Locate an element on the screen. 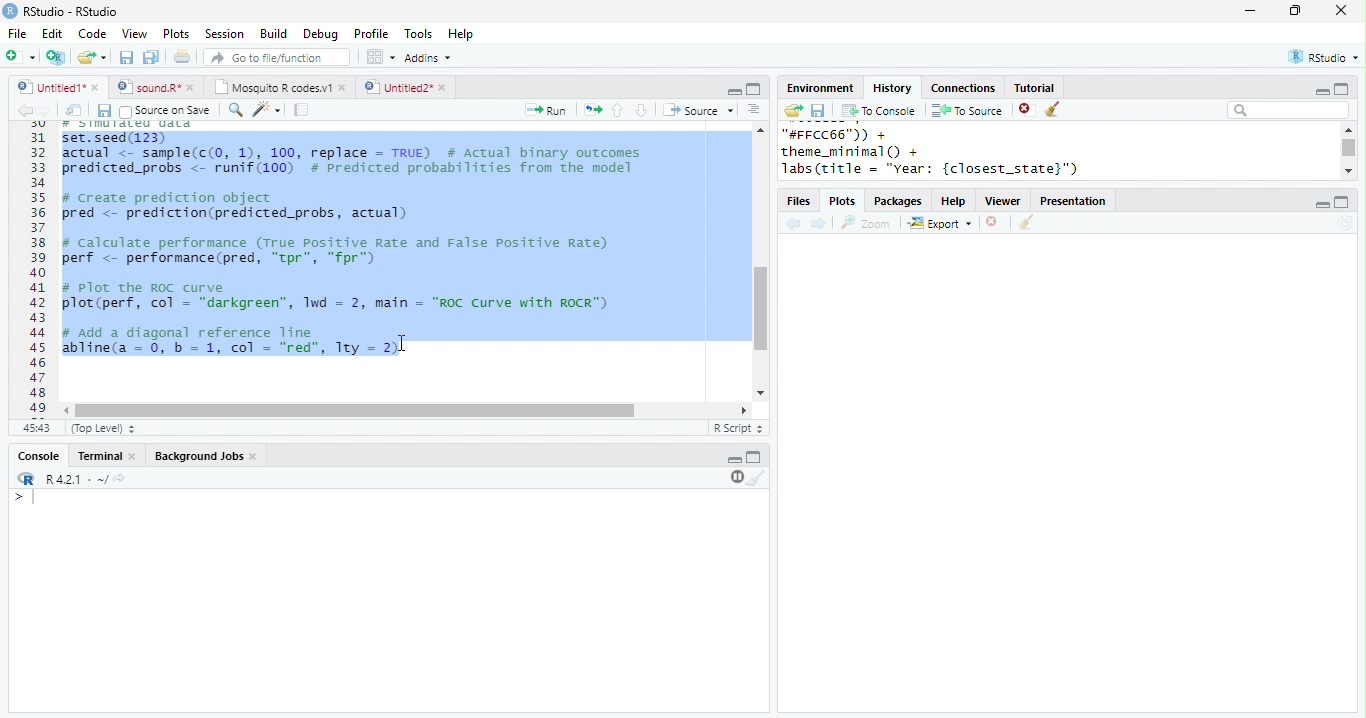 This screenshot has width=1366, height=718. RStudio is located at coordinates (1326, 56).